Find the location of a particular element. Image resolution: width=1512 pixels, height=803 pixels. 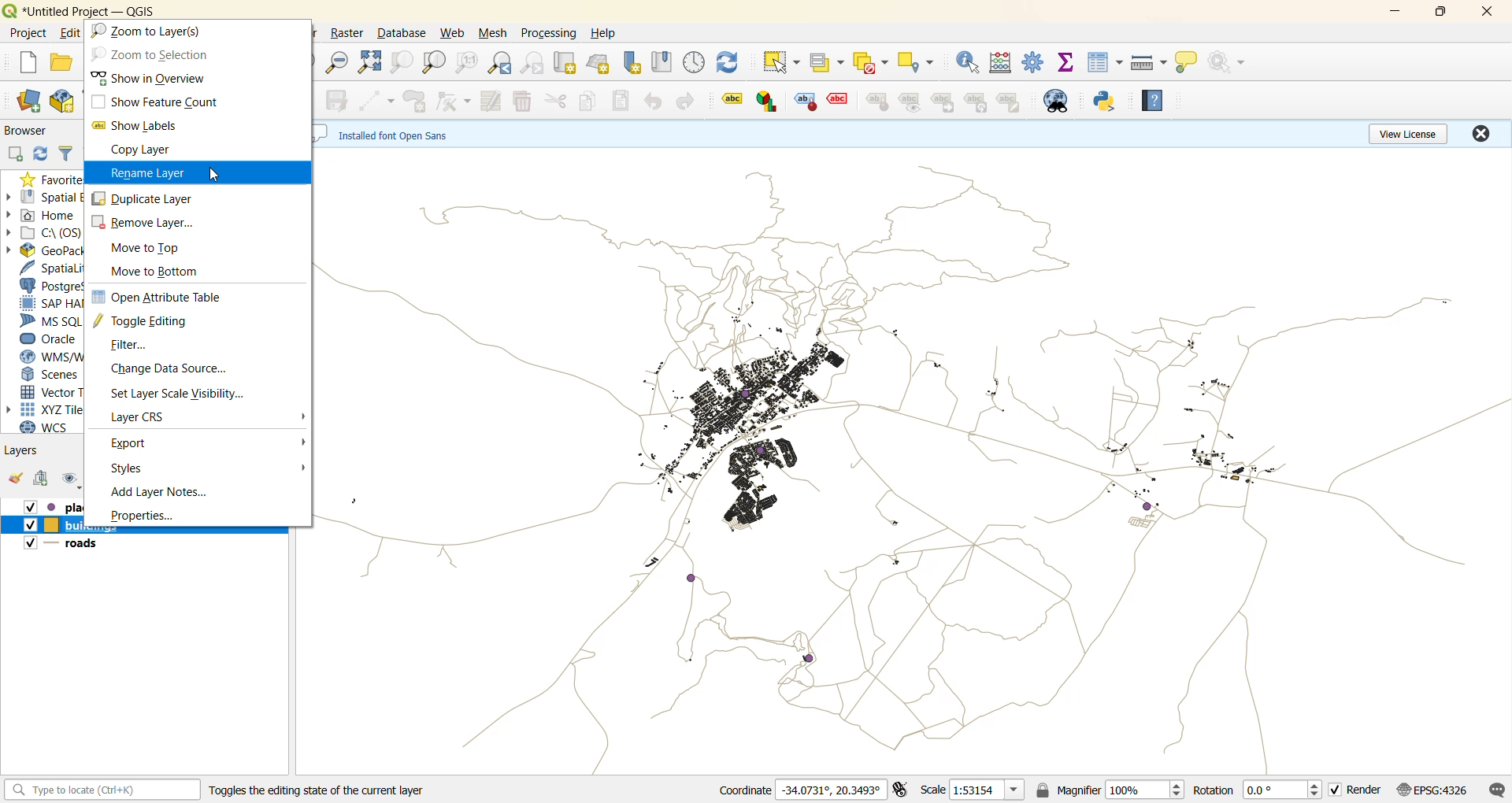

layers is located at coordinates (922, 459).